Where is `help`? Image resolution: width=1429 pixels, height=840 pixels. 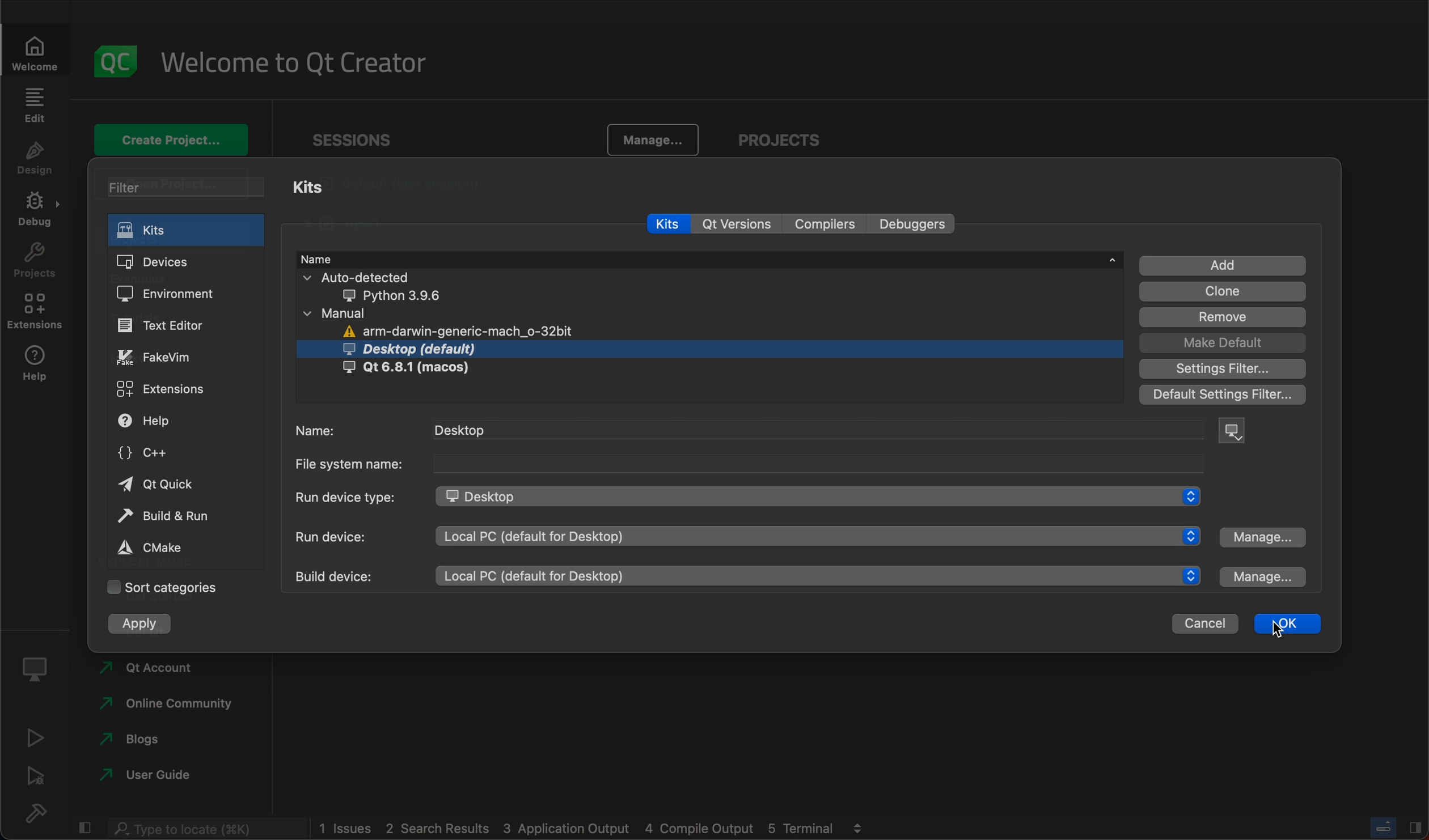 help is located at coordinates (167, 423).